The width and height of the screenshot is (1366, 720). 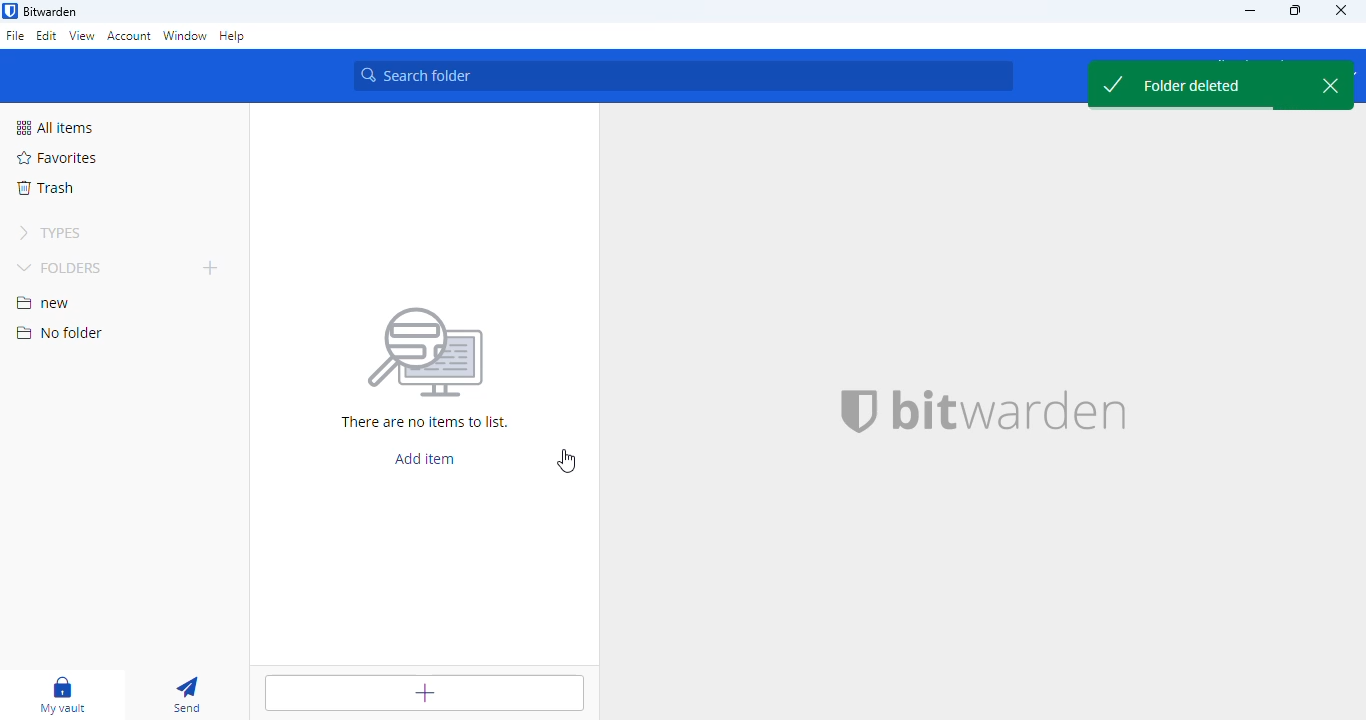 What do you see at coordinates (1342, 10) in the screenshot?
I see `close` at bounding box center [1342, 10].